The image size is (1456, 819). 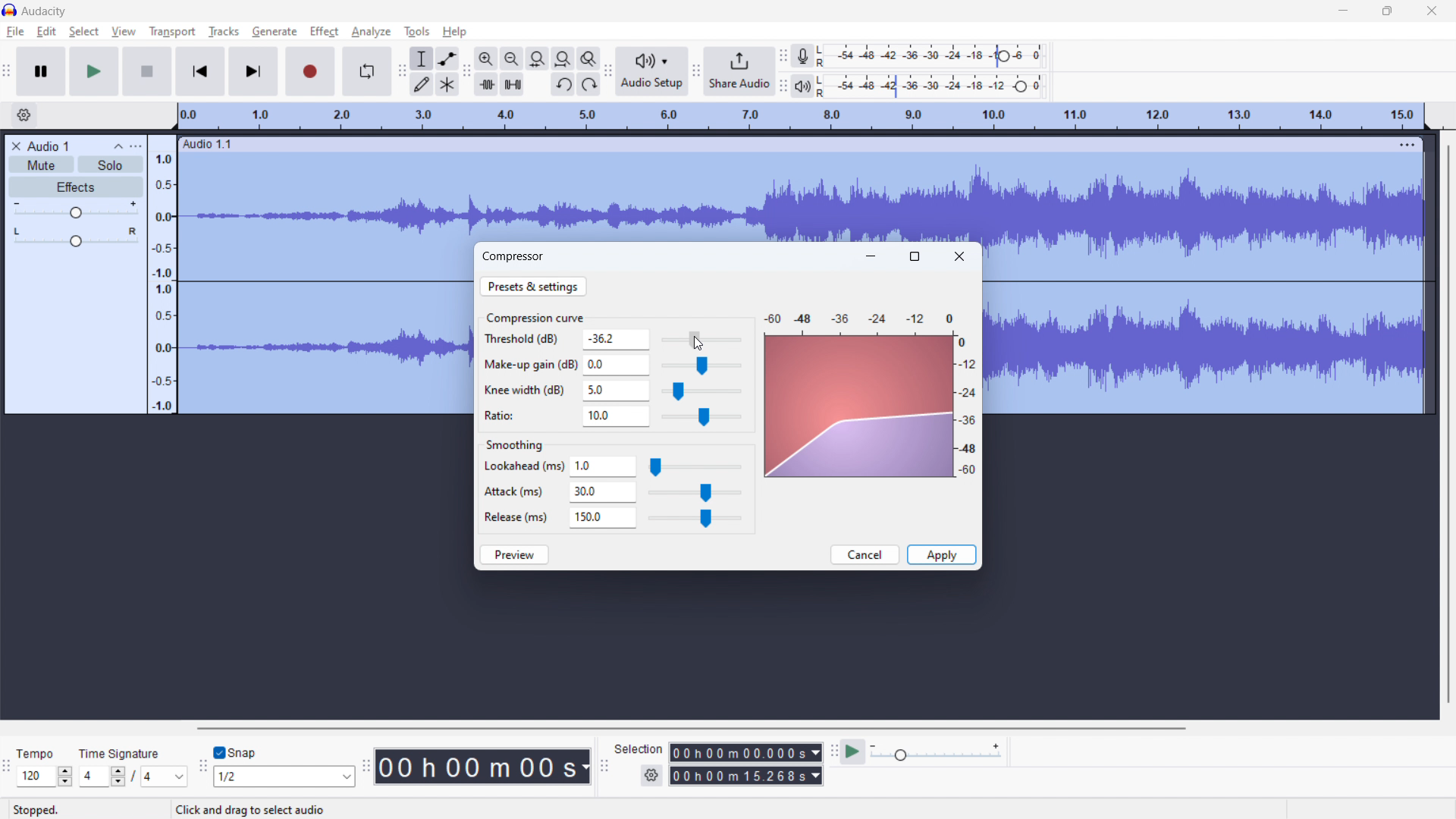 What do you see at coordinates (533, 286) in the screenshot?
I see `presets & settings` at bounding box center [533, 286].